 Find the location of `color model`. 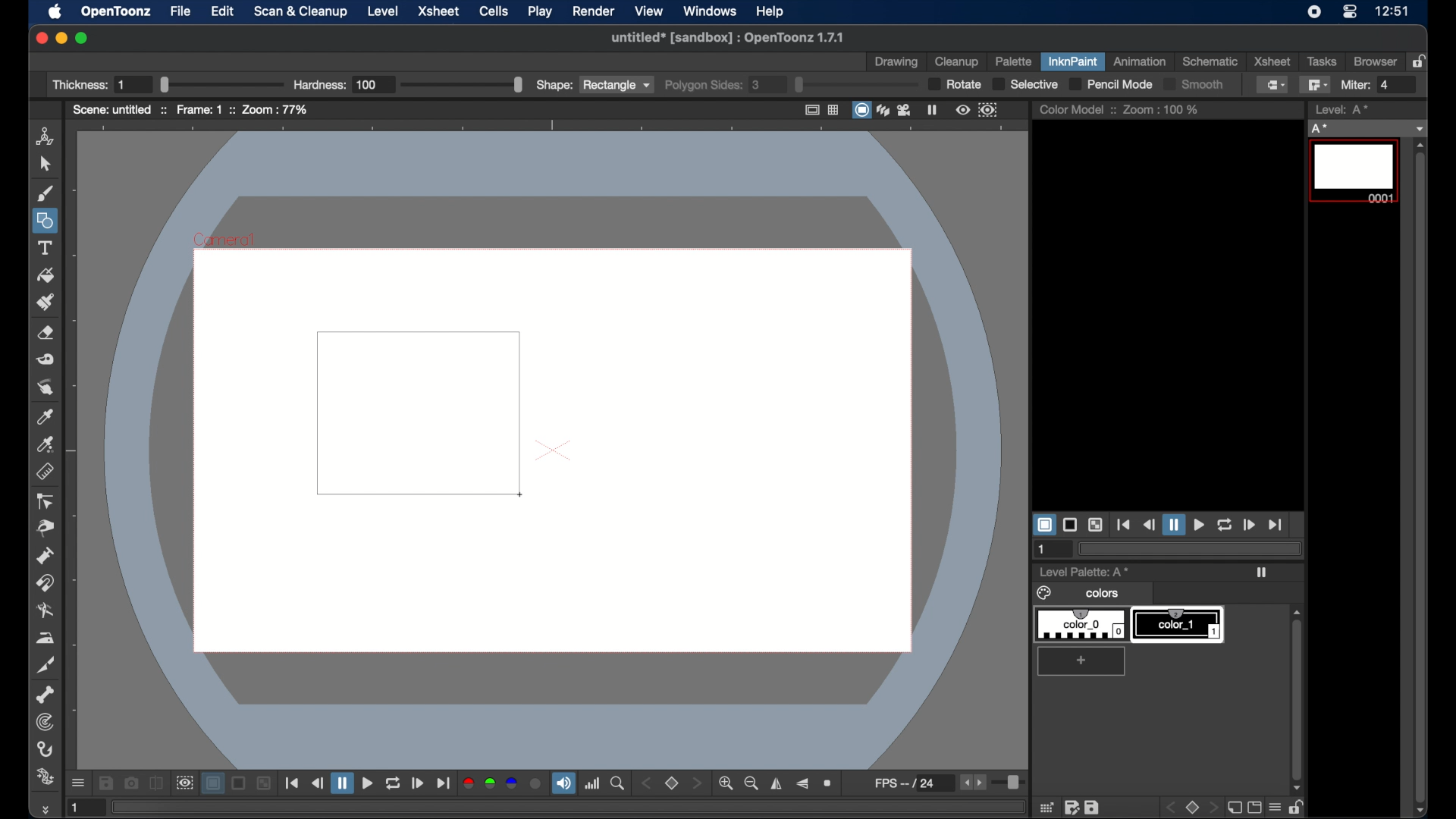

color model is located at coordinates (1077, 108).